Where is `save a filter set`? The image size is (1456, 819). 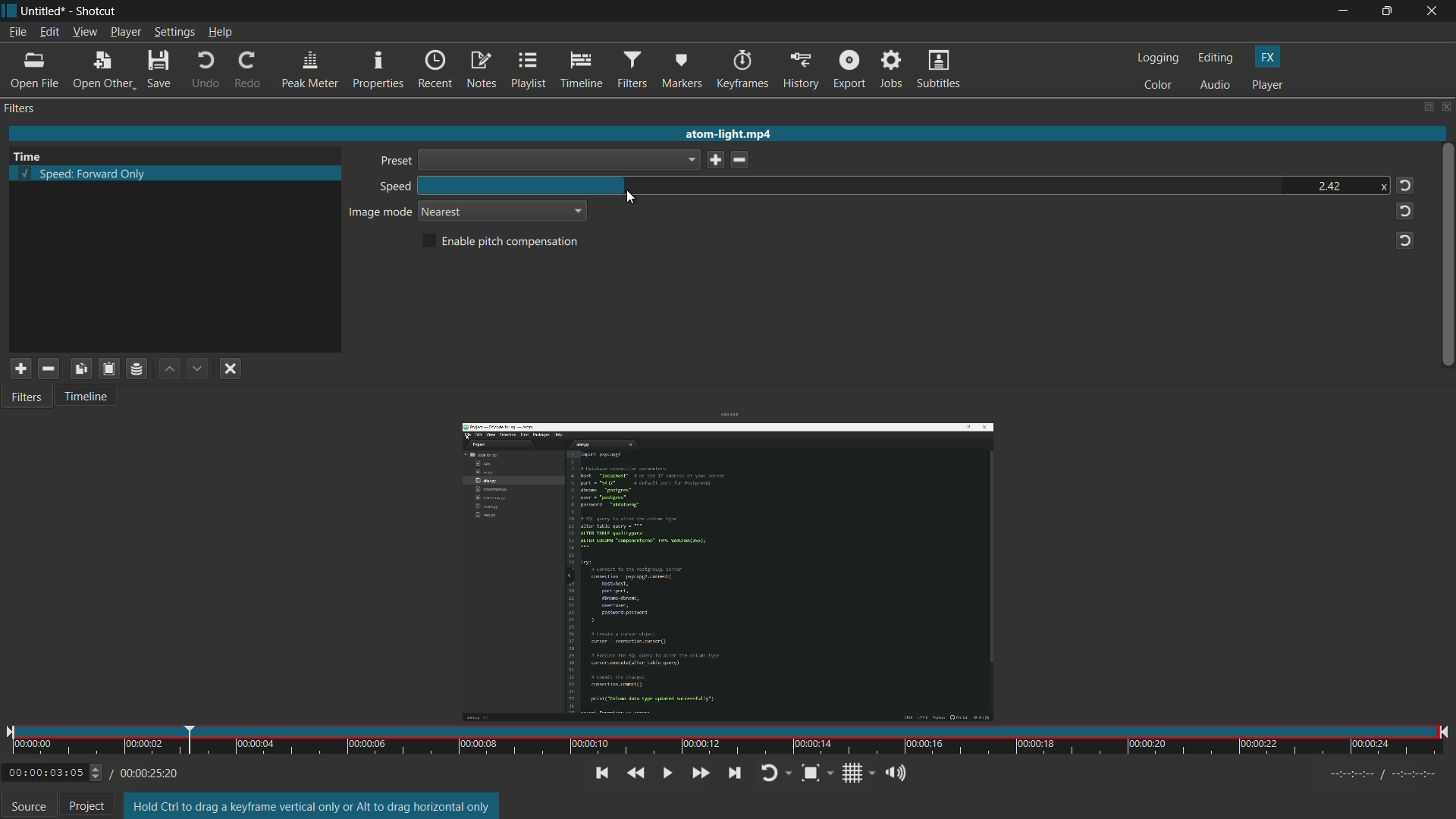 save a filter set is located at coordinates (135, 369).